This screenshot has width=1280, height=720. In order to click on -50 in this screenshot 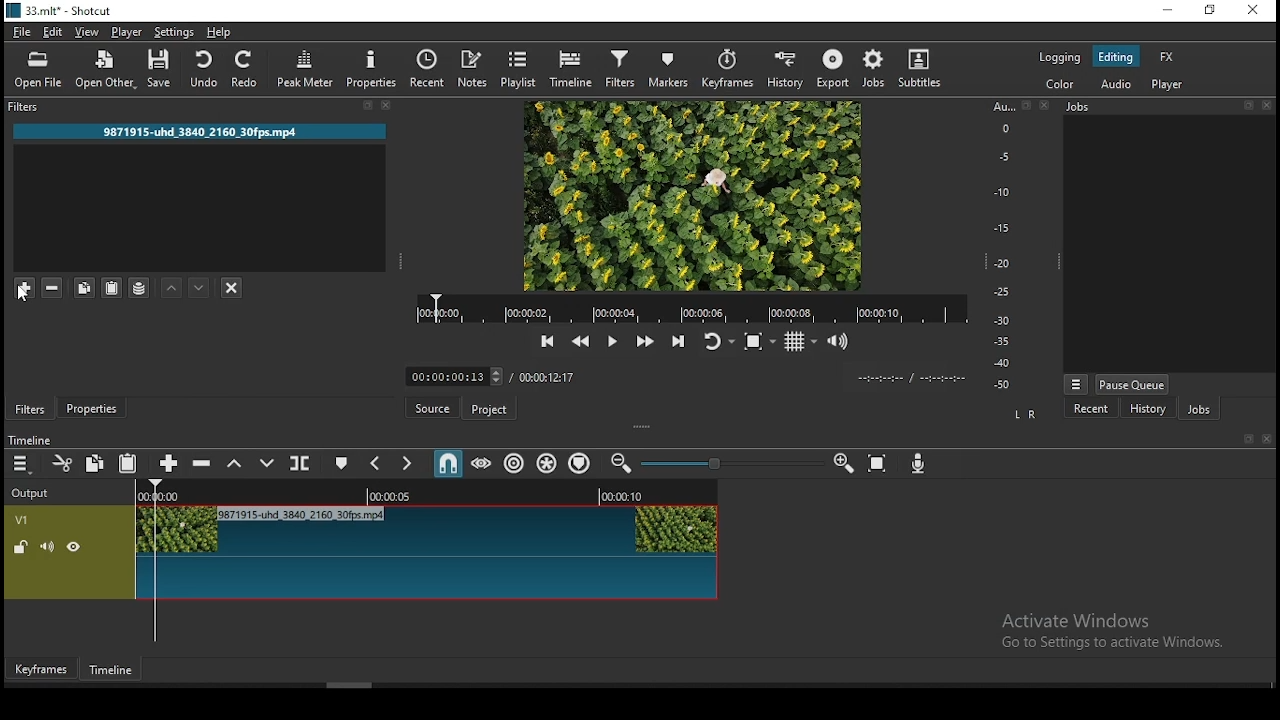, I will do `click(1003, 386)`.